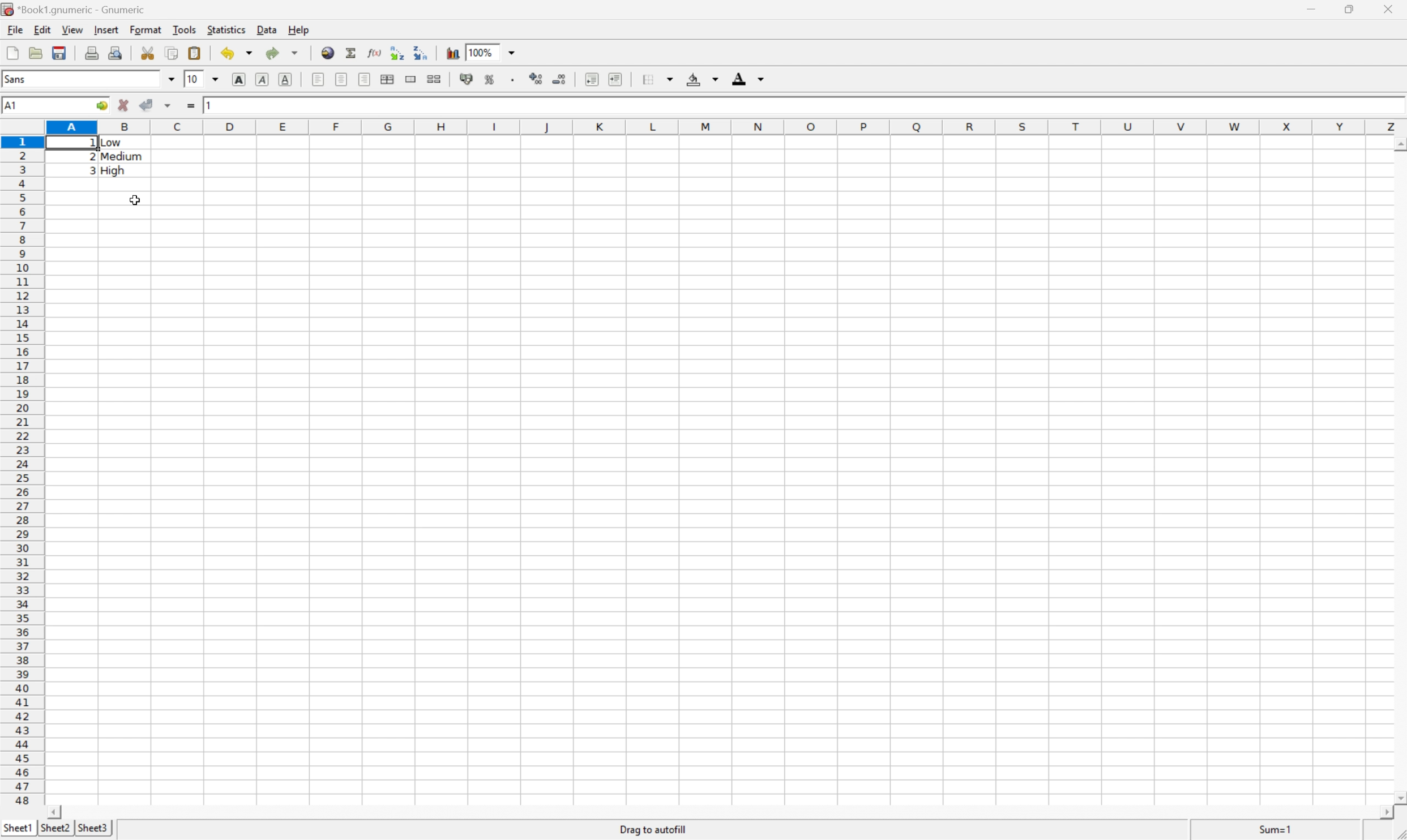 This screenshot has width=1407, height=840. What do you see at coordinates (55, 828) in the screenshot?
I see `Sheet2` at bounding box center [55, 828].